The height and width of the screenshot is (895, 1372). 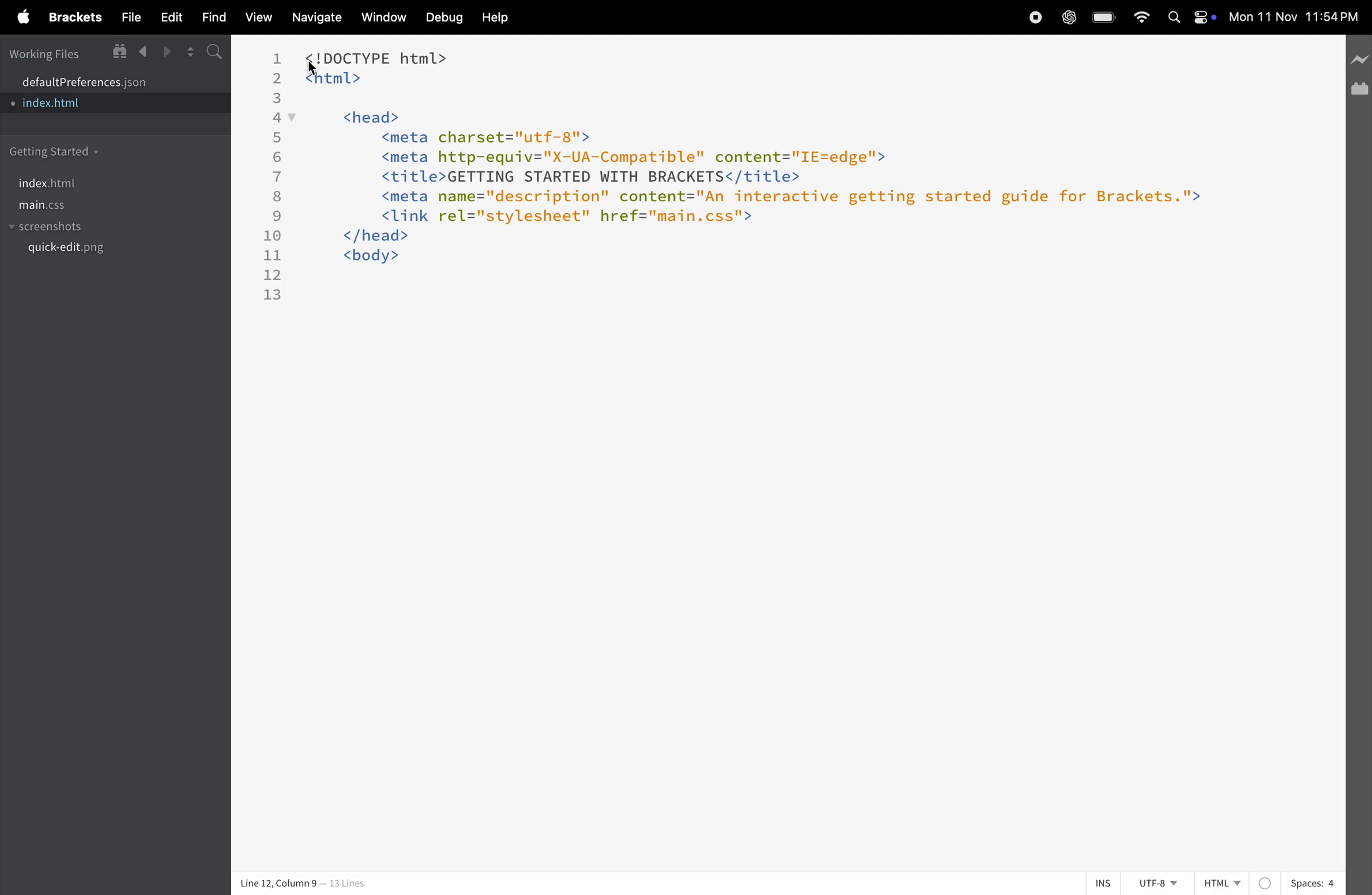 What do you see at coordinates (278, 78) in the screenshot?
I see `2` at bounding box center [278, 78].